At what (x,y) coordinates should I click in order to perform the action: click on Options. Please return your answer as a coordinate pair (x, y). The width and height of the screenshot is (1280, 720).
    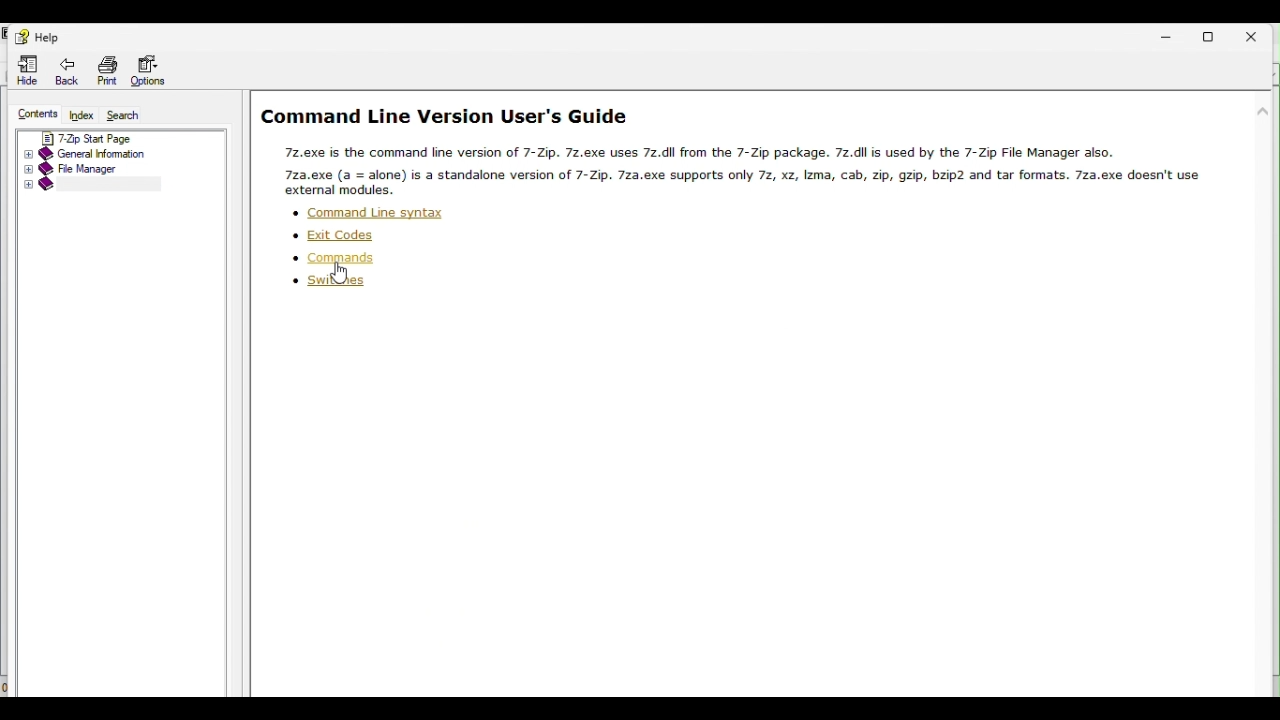
    Looking at the image, I should click on (155, 71).